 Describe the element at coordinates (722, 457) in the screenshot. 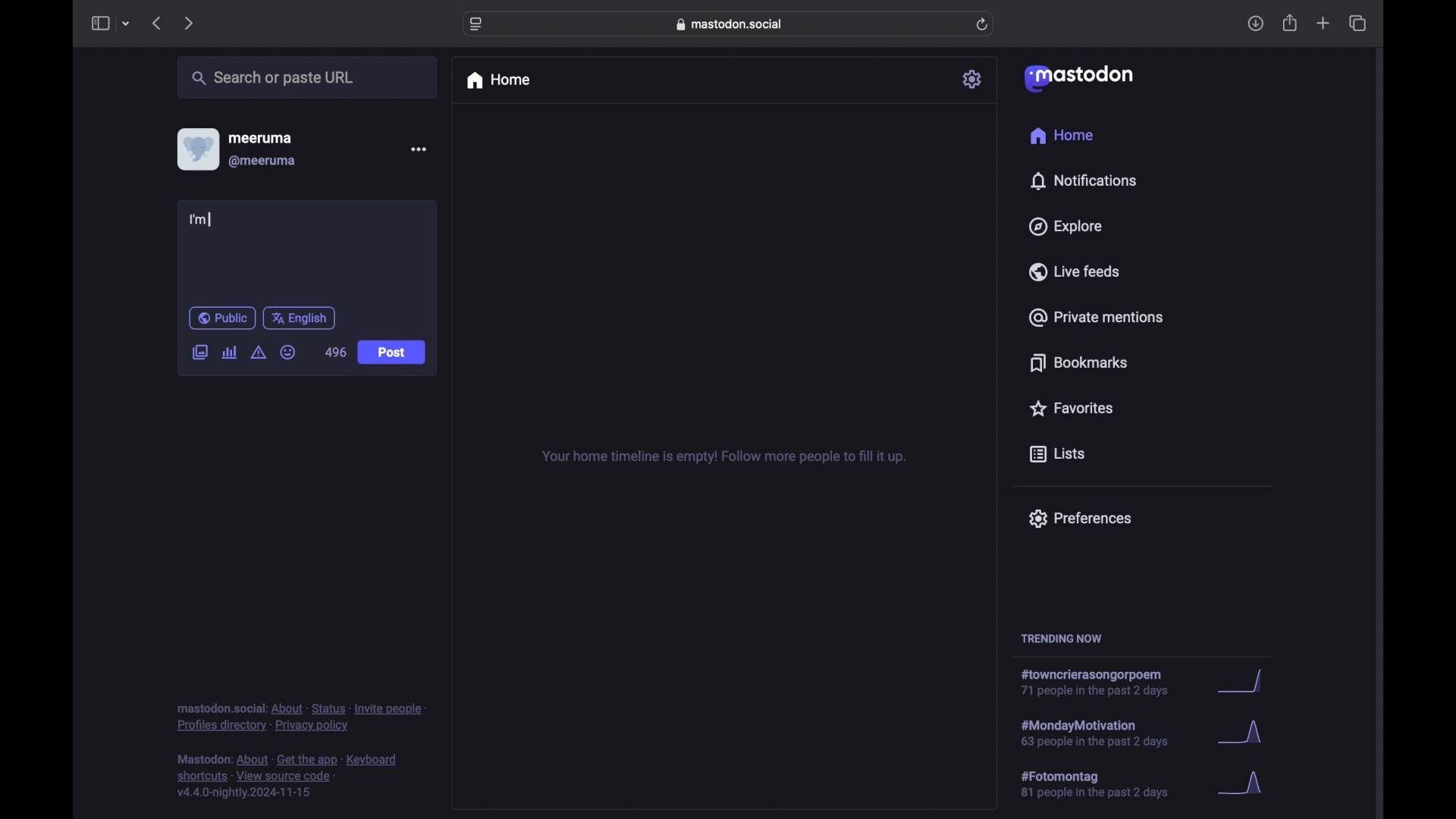

I see `your home timeline is  empty! follow for more tips` at that location.